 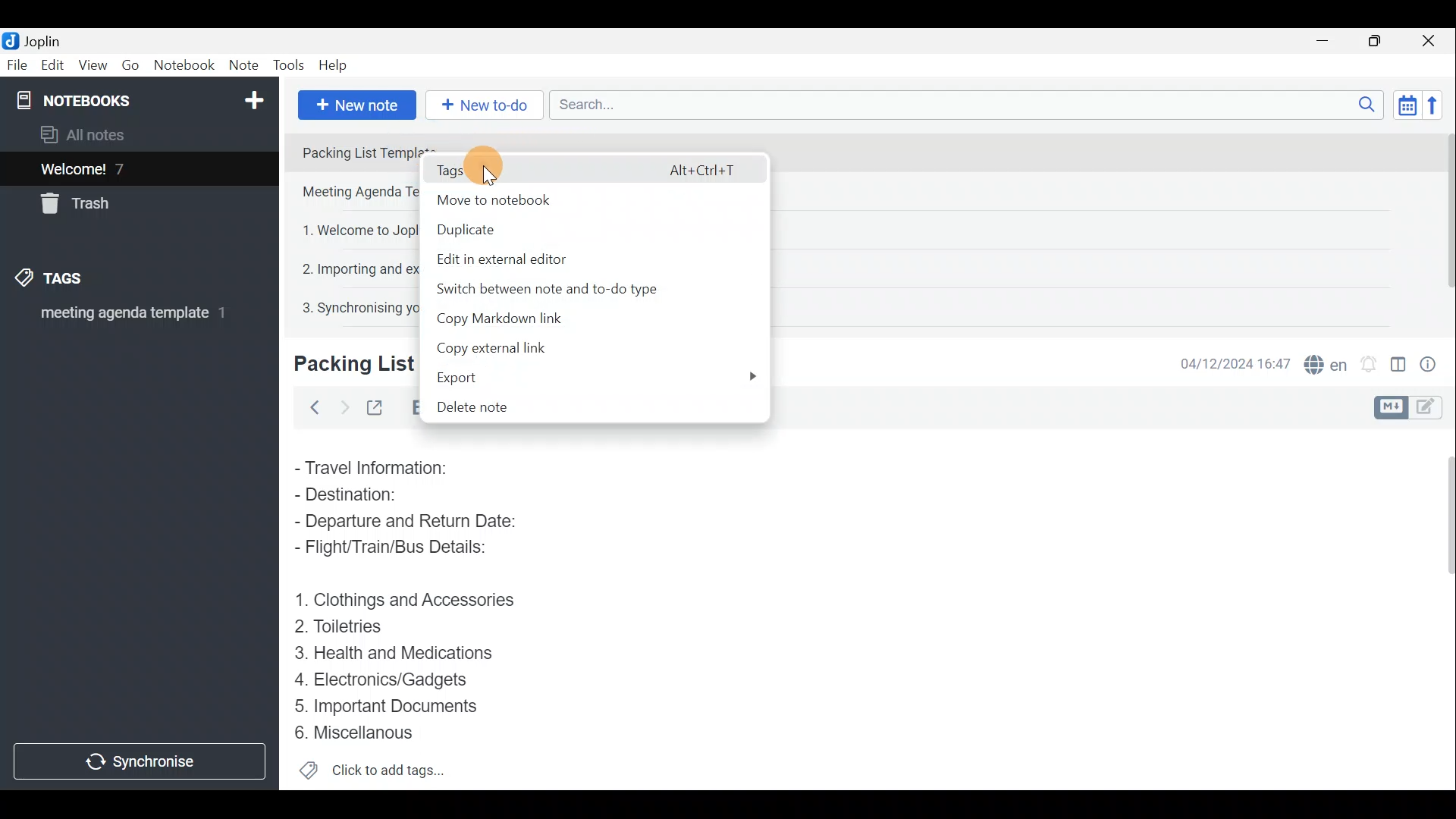 What do you see at coordinates (598, 167) in the screenshot?
I see `Tags` at bounding box center [598, 167].